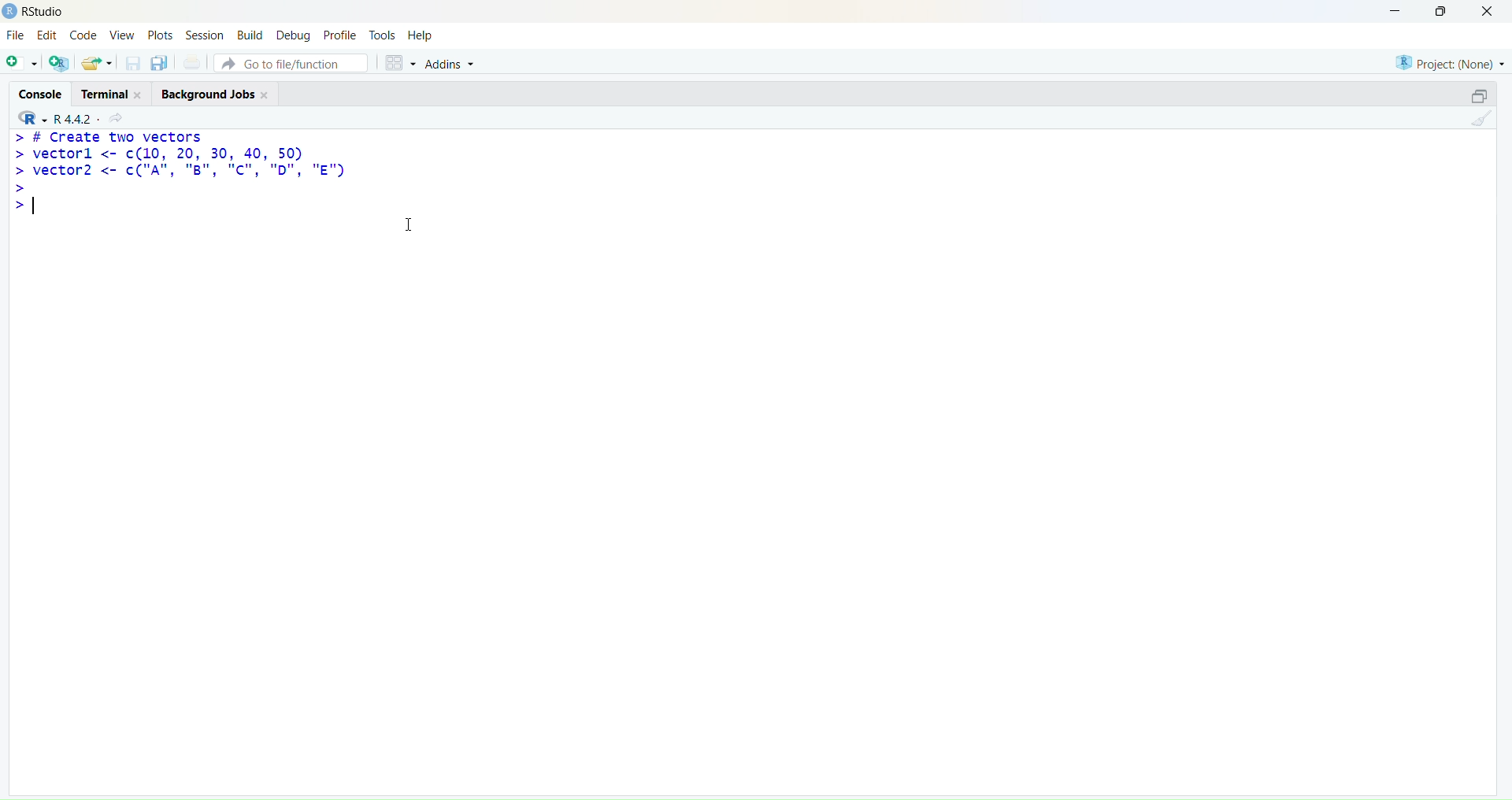  Describe the element at coordinates (60, 63) in the screenshot. I see `Create project` at that location.